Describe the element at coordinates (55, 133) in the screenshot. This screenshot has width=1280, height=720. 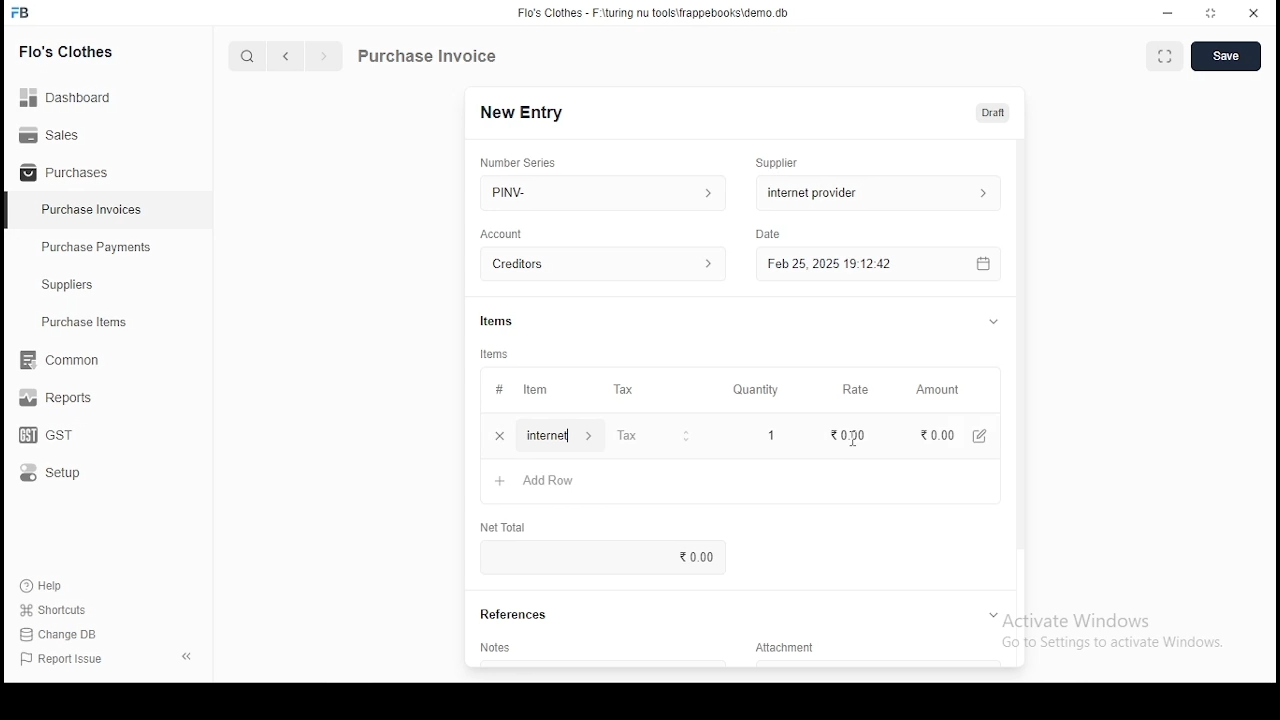
I see `Sales` at that location.